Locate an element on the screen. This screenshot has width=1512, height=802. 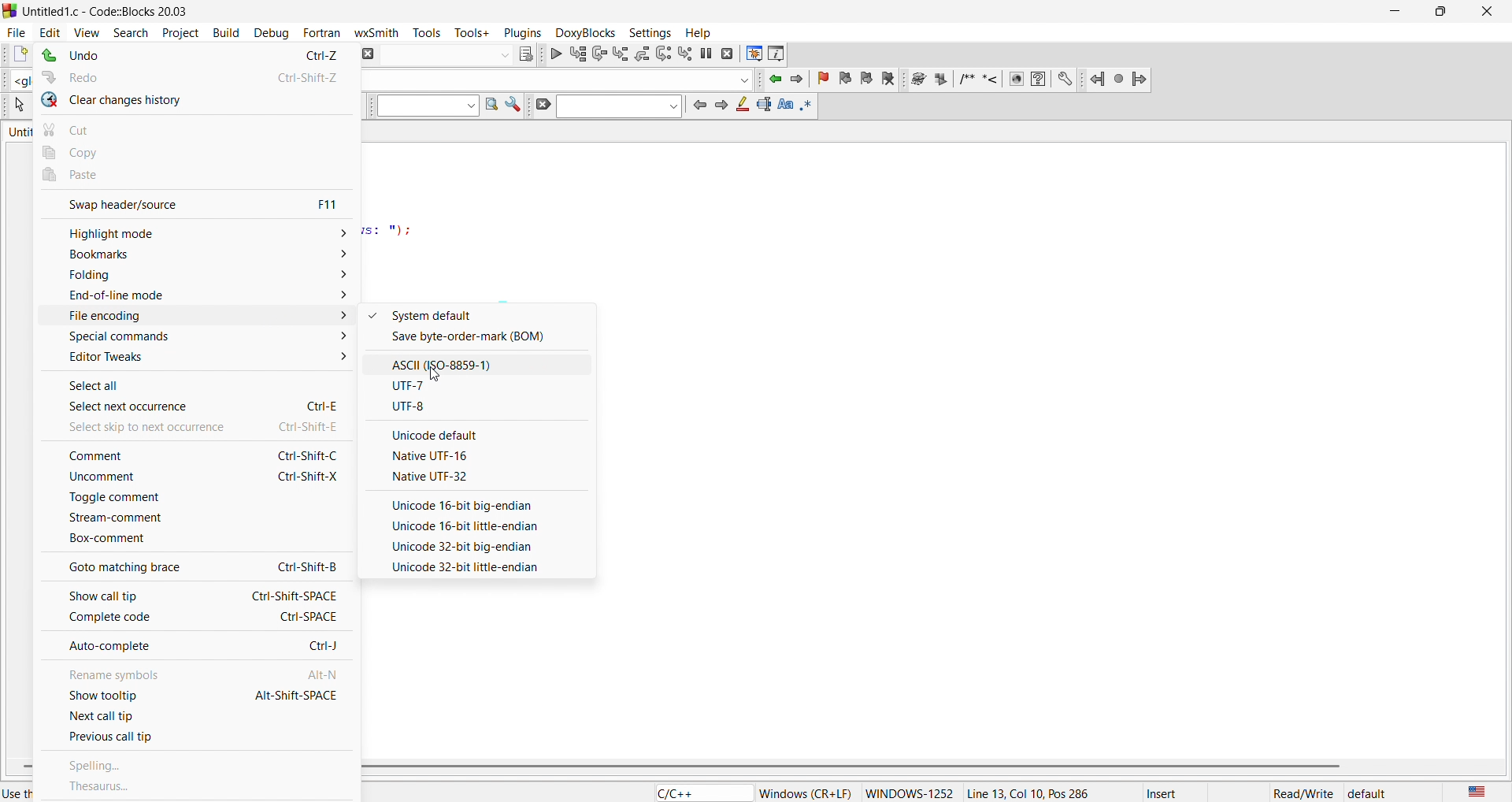
run doxy wizard is located at coordinates (917, 79).